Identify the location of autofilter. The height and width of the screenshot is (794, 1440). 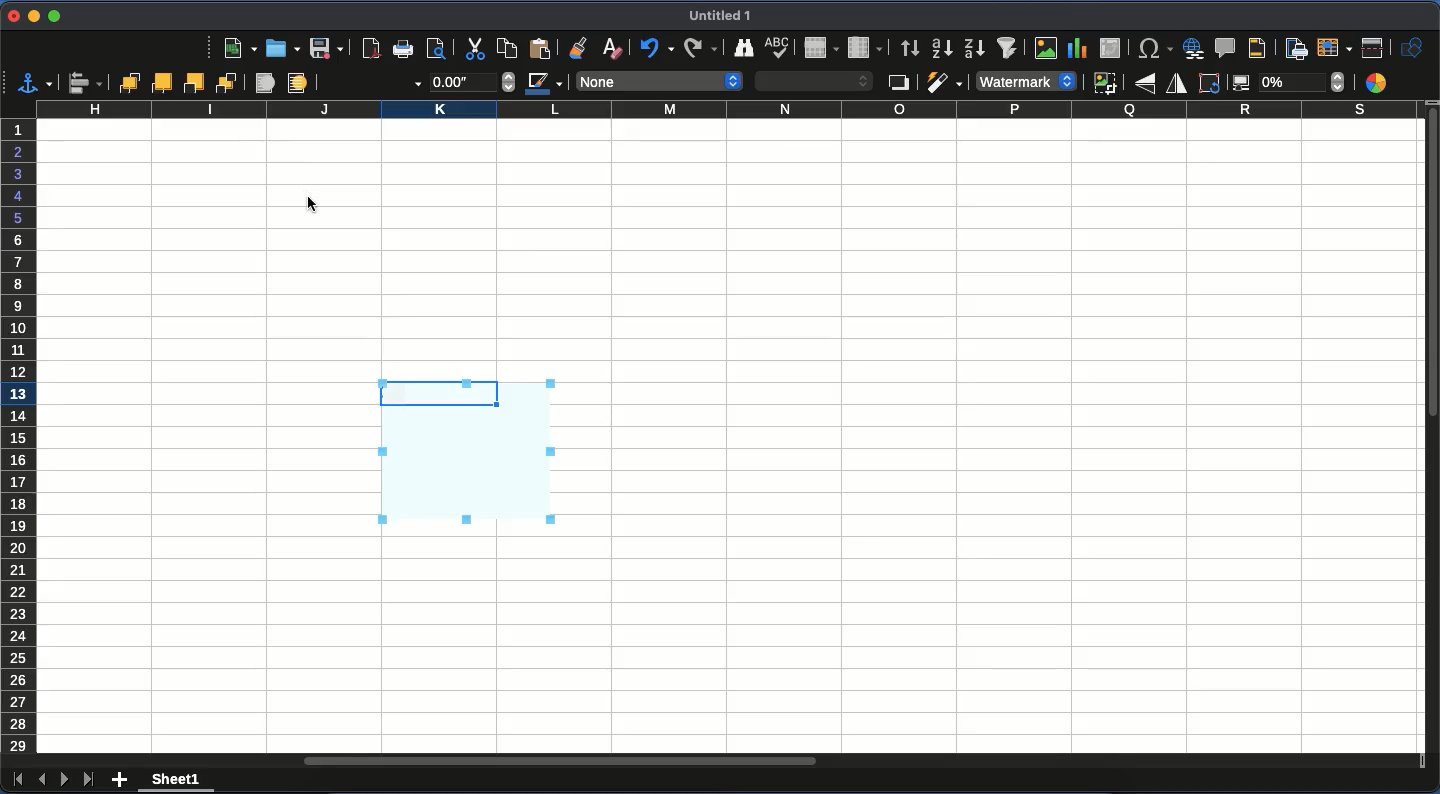
(1011, 48).